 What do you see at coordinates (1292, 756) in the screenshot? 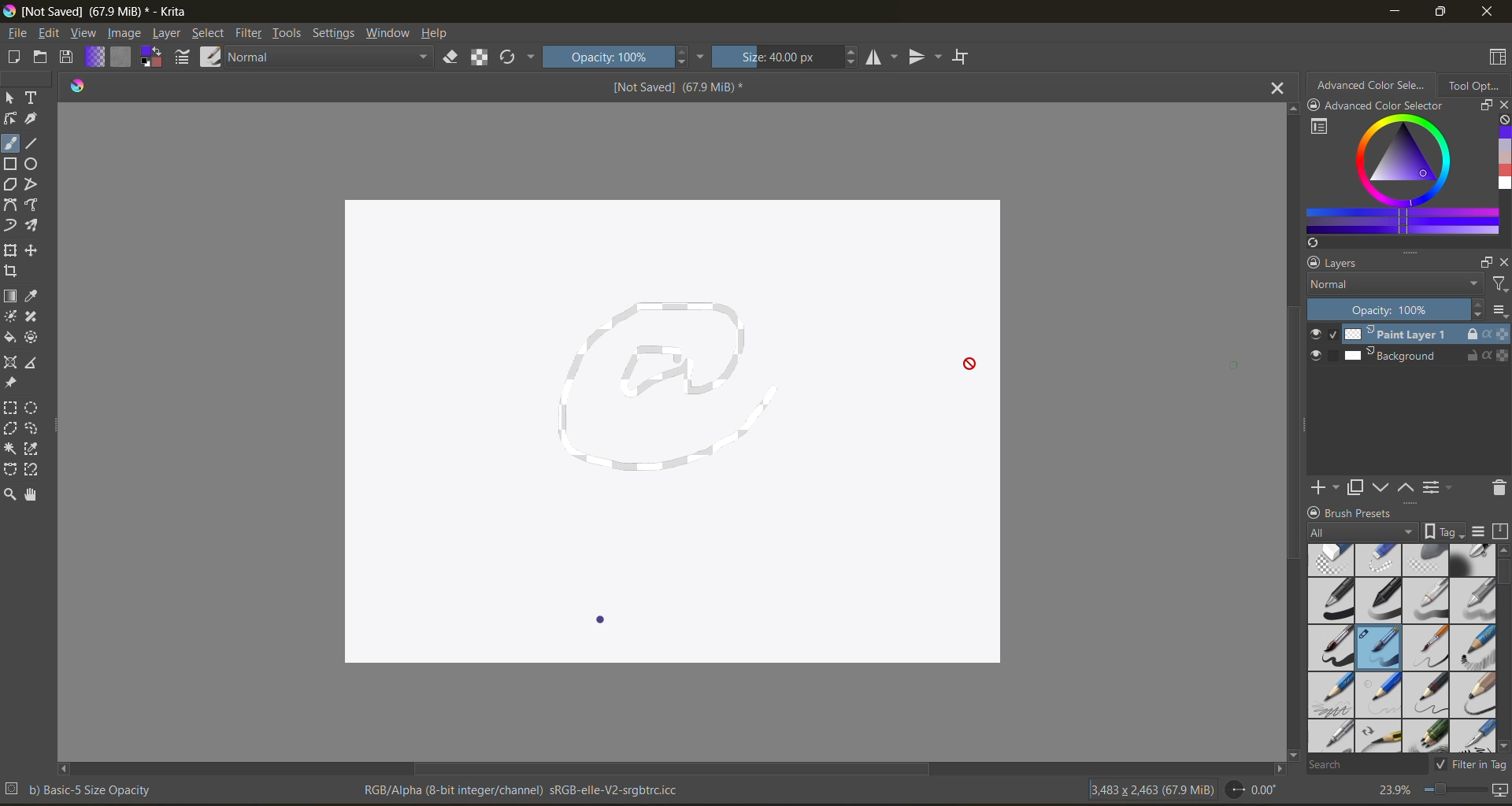
I see `scroll down` at bounding box center [1292, 756].